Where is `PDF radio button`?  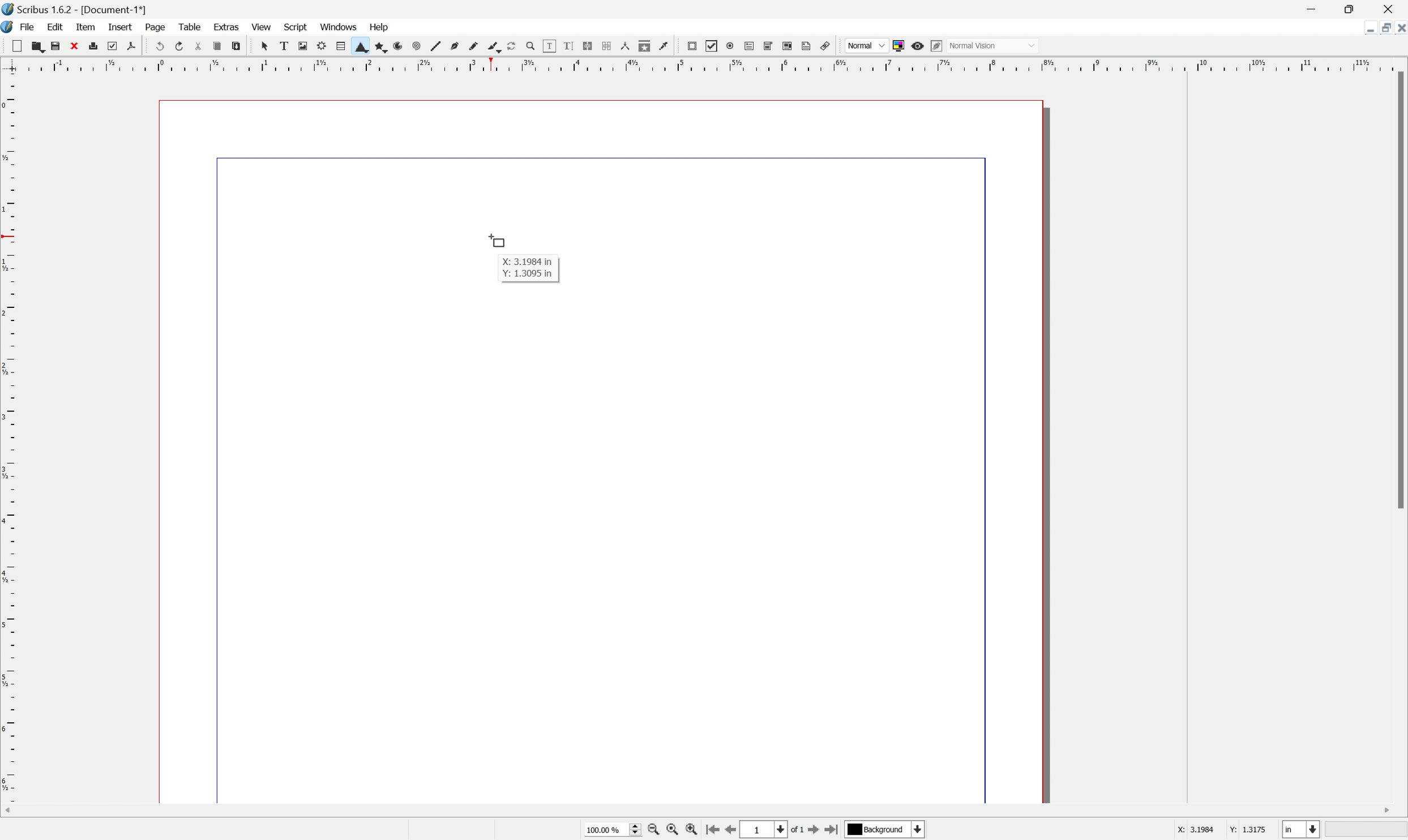
PDF radio button is located at coordinates (729, 46).